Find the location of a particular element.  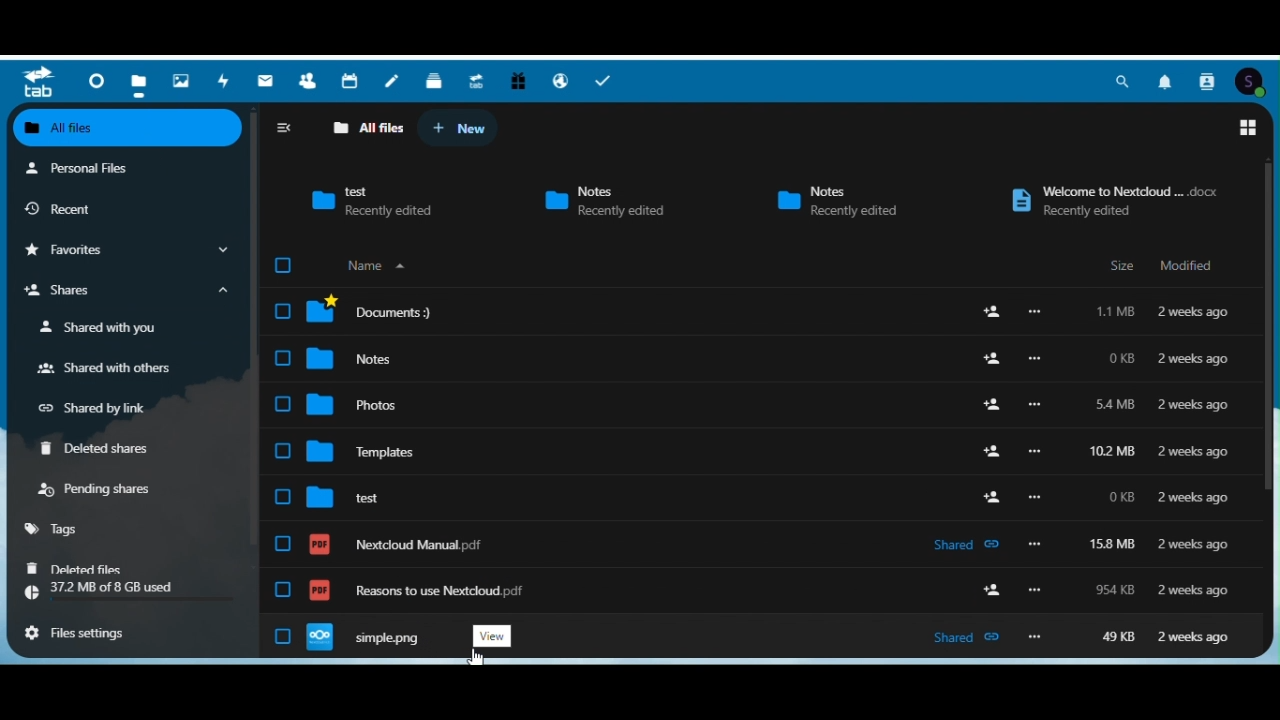

vertical scroll bar is located at coordinates (1267, 328).